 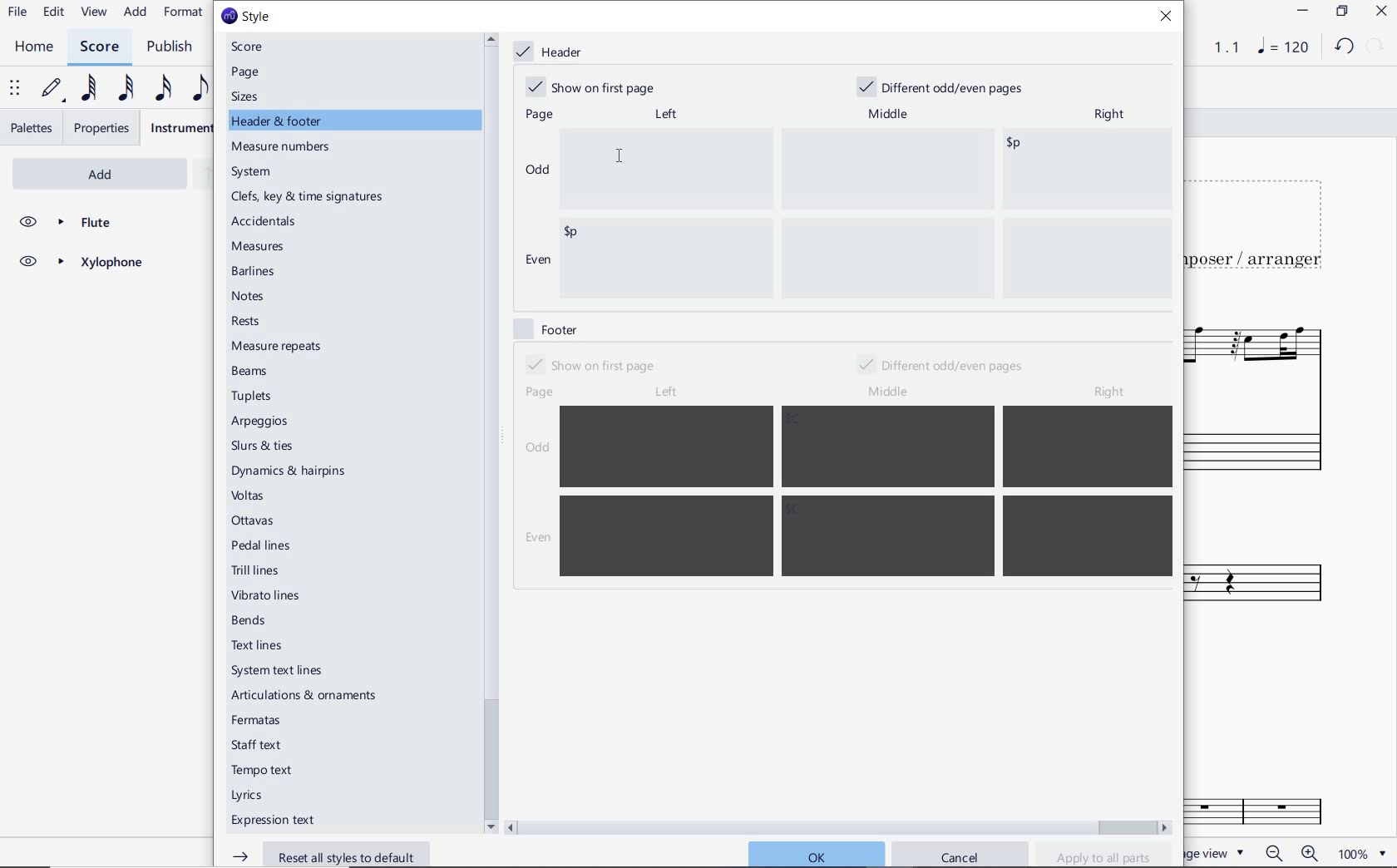 I want to click on text lines, so click(x=258, y=645).